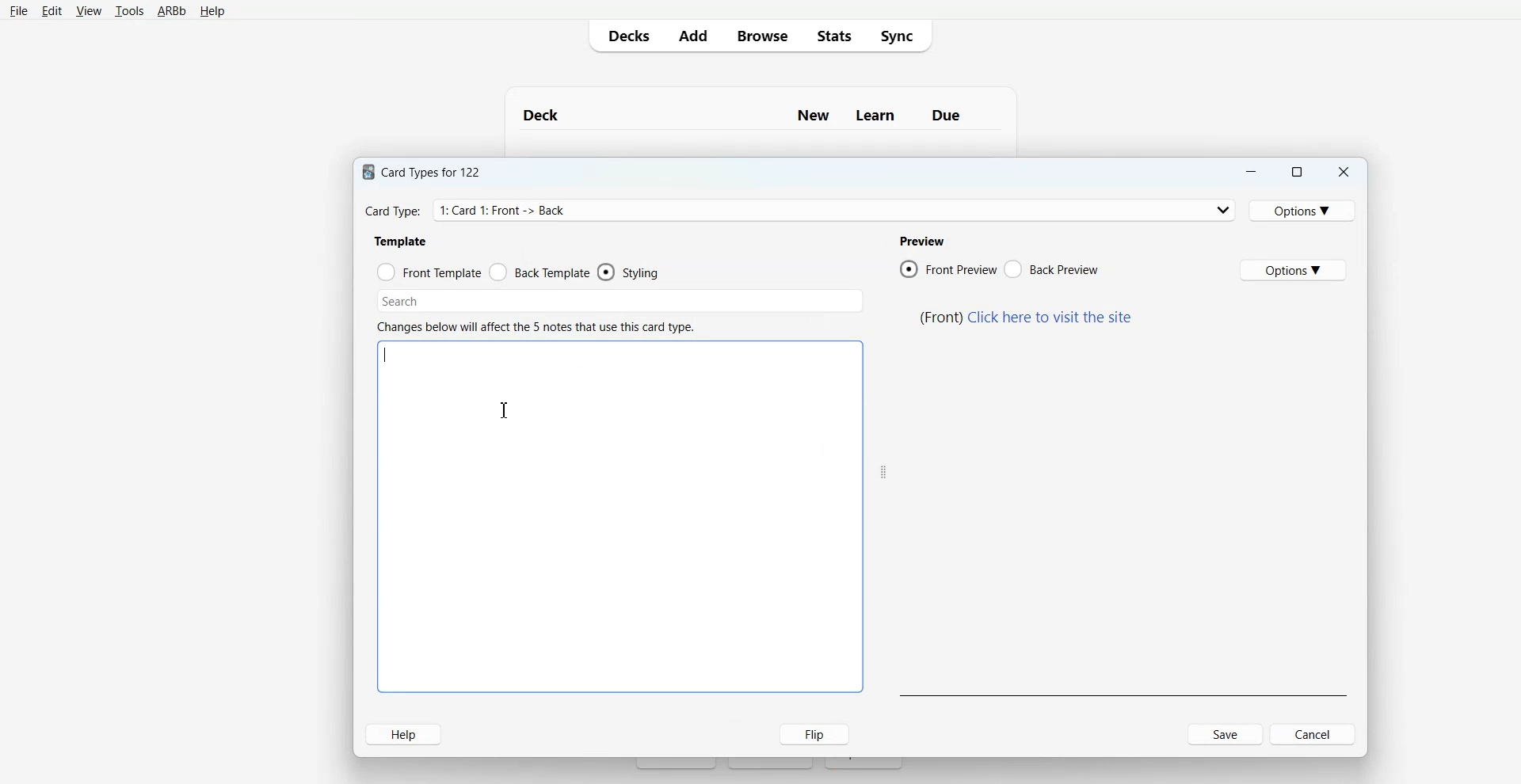  I want to click on Save, so click(1226, 734).